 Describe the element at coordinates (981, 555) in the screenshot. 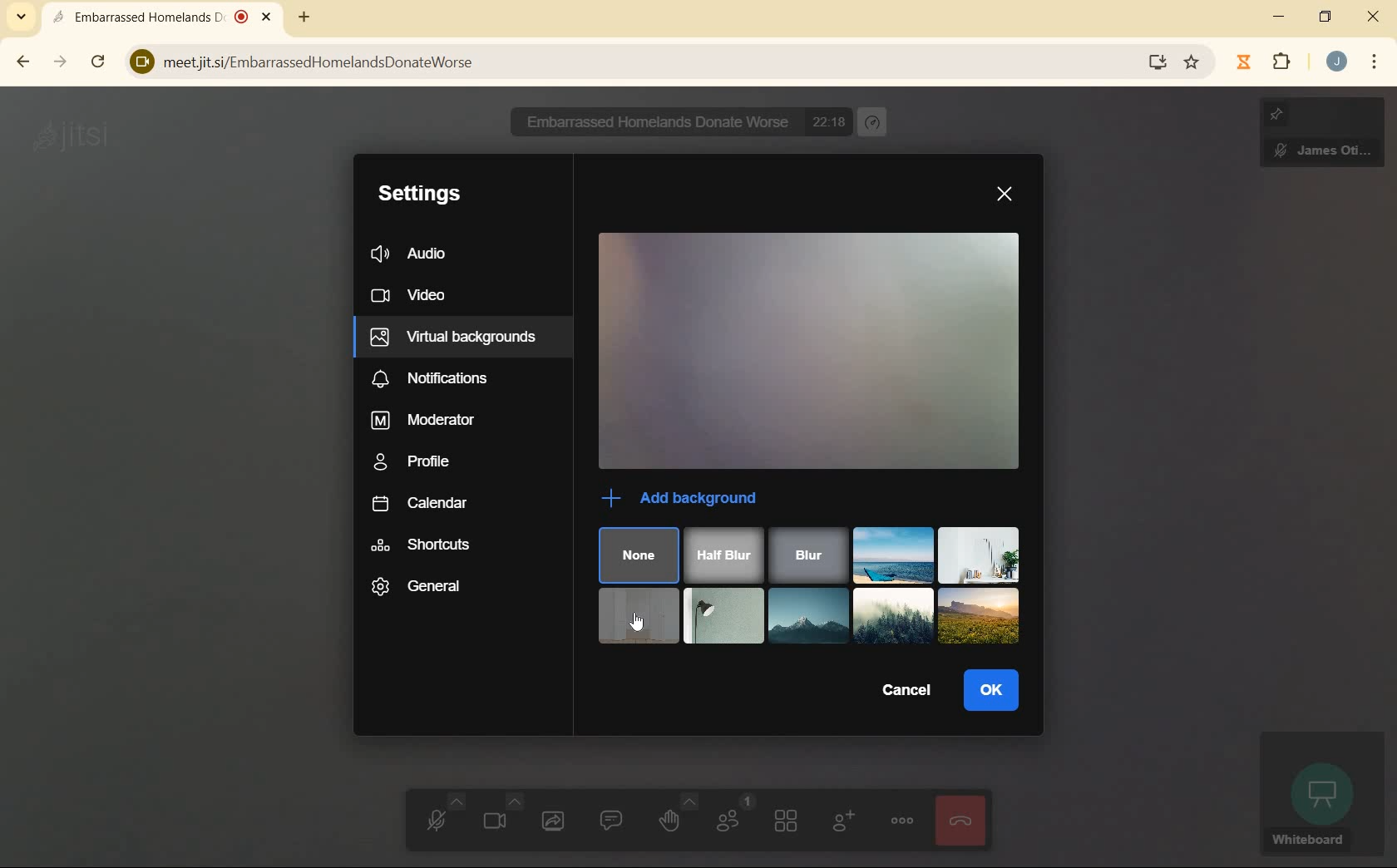

I see `white neutral wall` at that location.